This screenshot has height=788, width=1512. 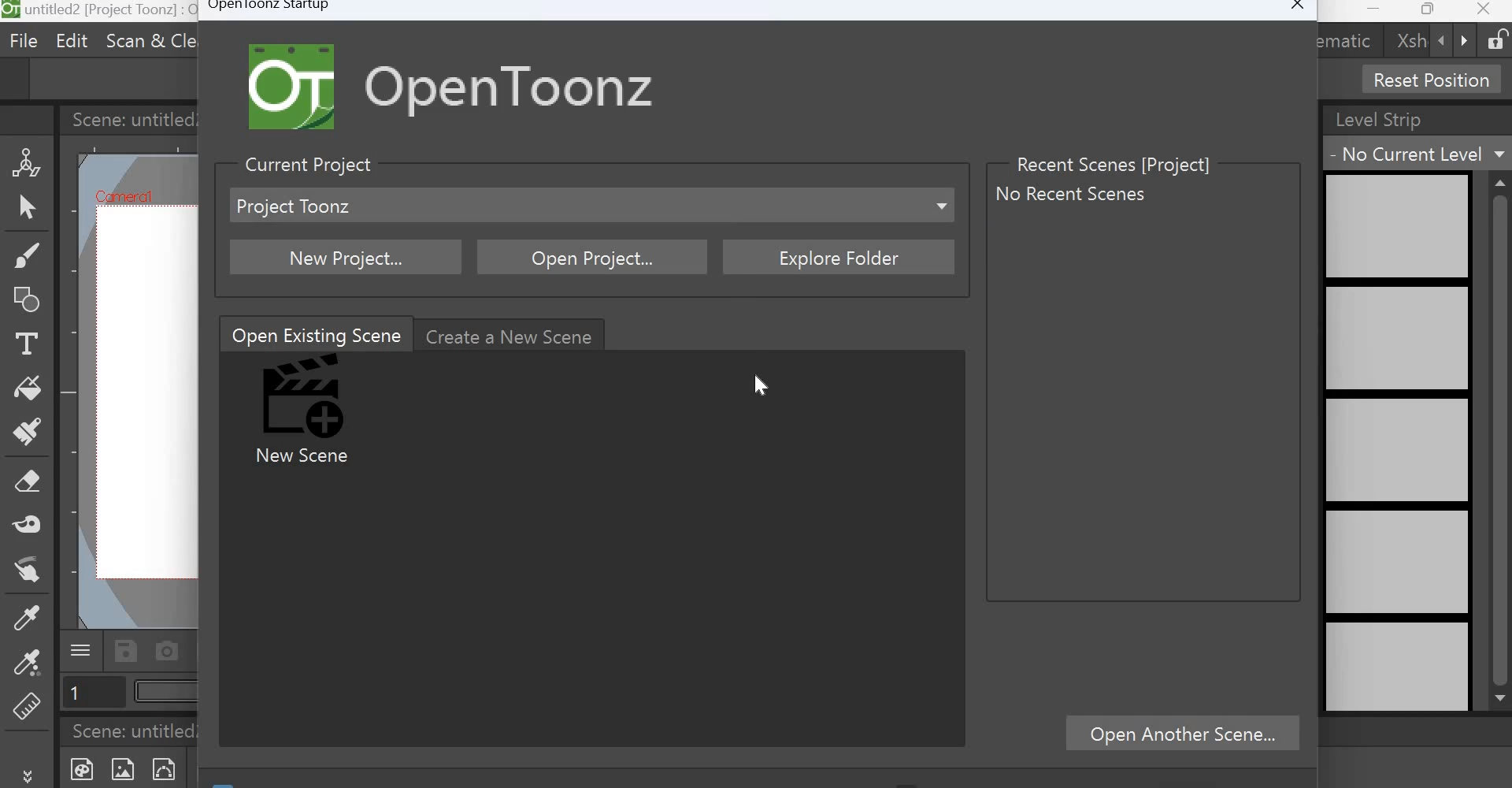 What do you see at coordinates (100, 12) in the screenshot?
I see `untitled 2[sandbox] : OpenToonz` at bounding box center [100, 12].